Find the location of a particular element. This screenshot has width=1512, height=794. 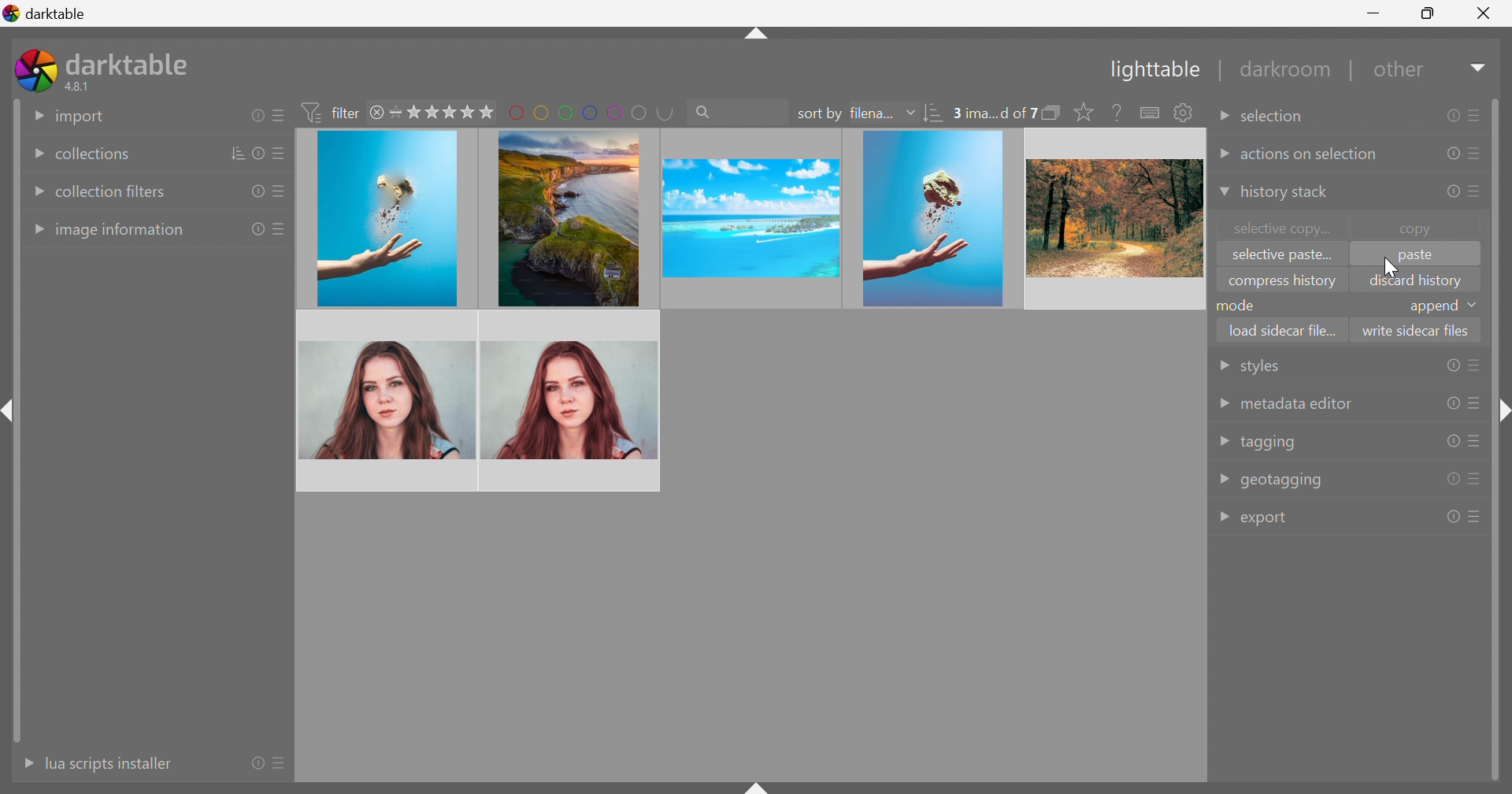

write sidecar files is located at coordinates (1416, 329).